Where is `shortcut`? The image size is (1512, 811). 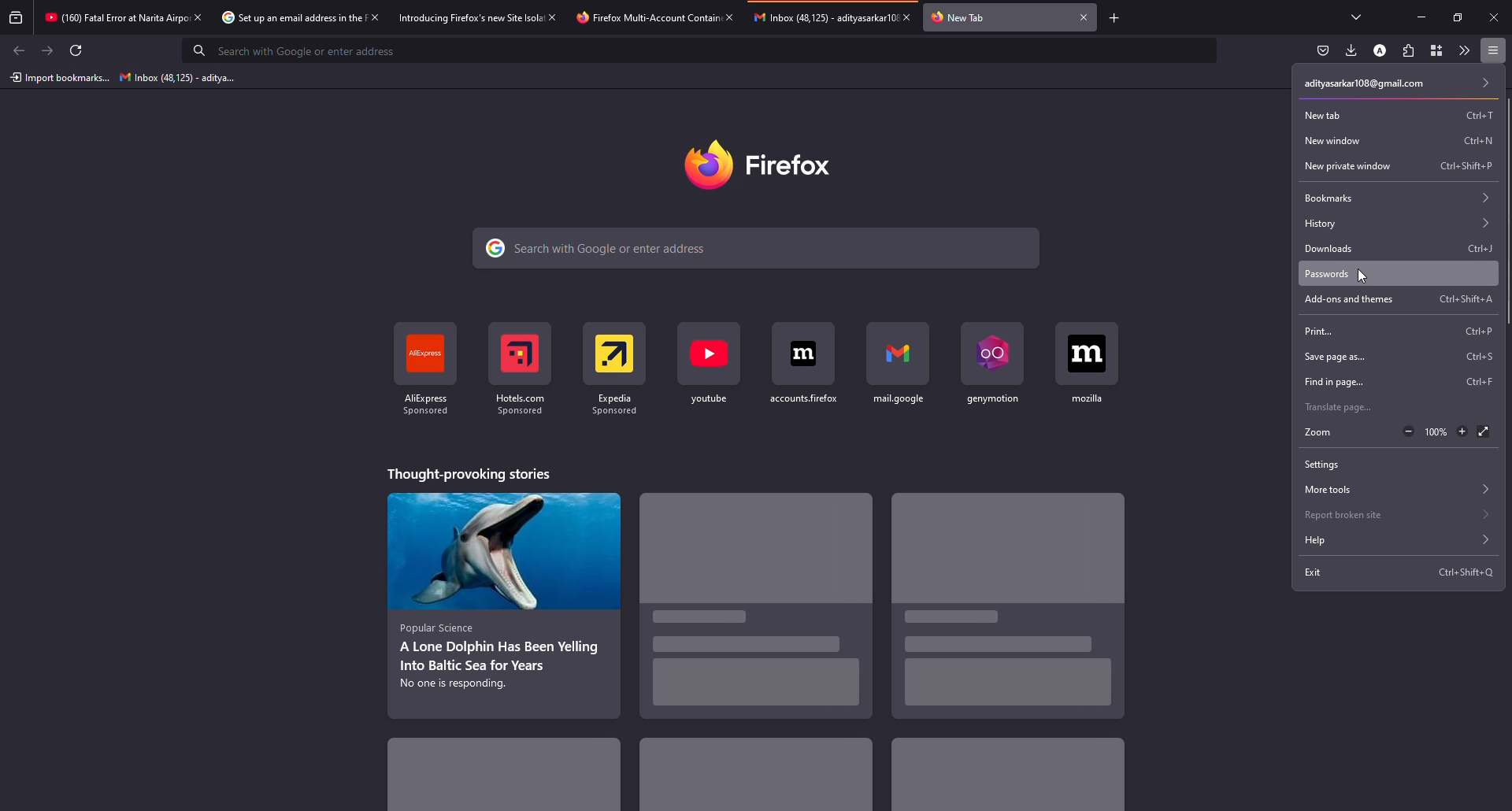
shortcut is located at coordinates (524, 364).